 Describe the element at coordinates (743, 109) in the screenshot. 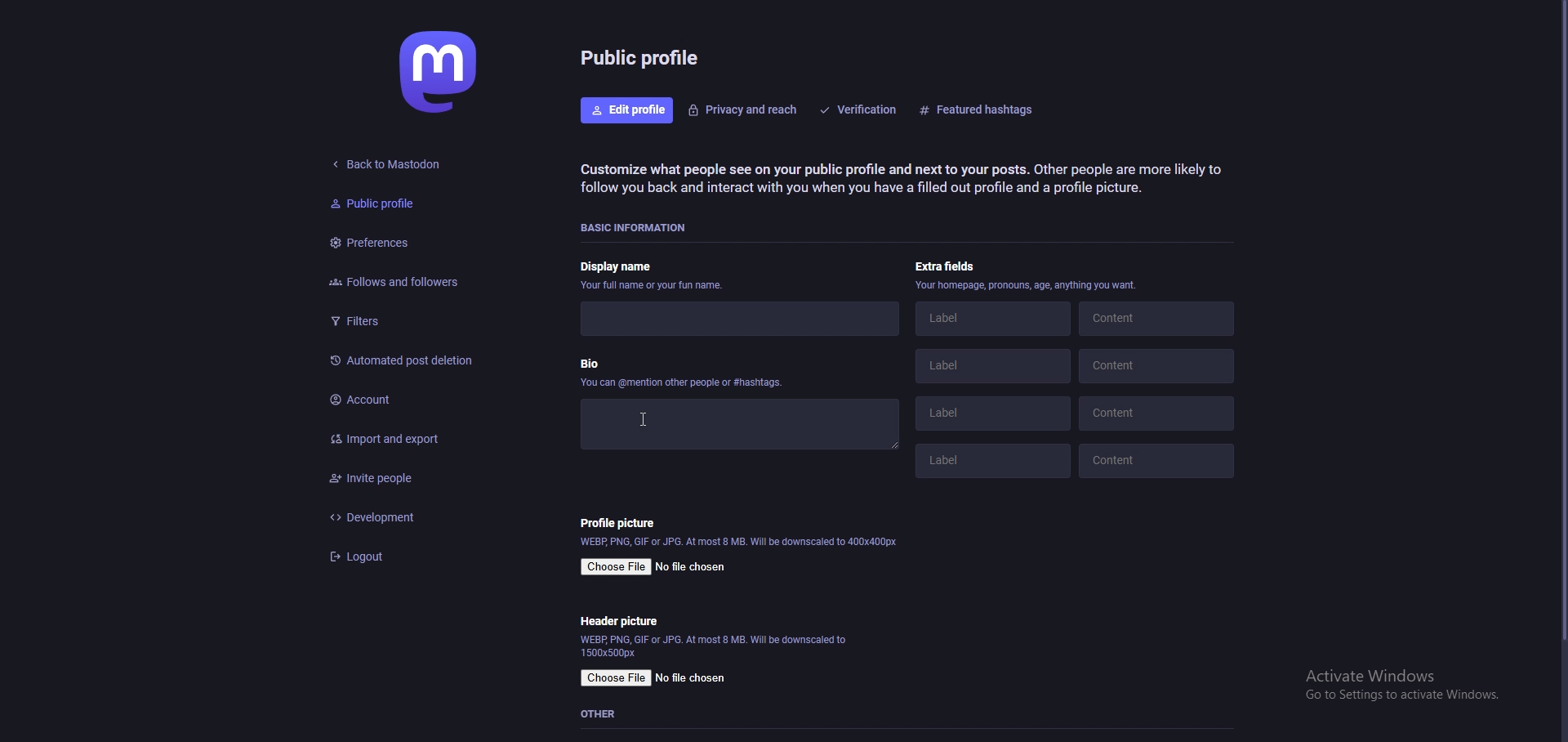

I see `privacy and reach` at that location.